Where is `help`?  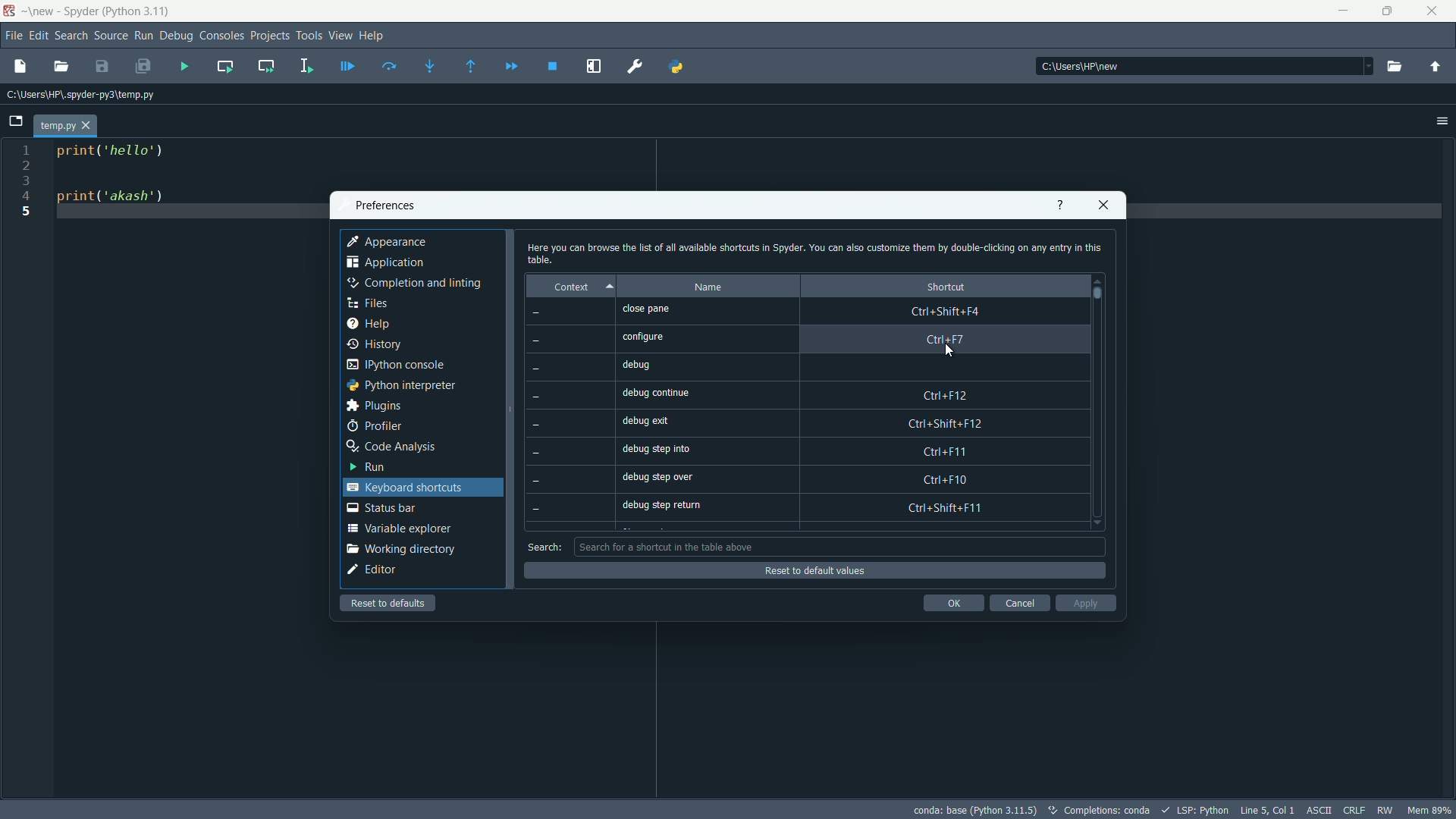
help is located at coordinates (367, 325).